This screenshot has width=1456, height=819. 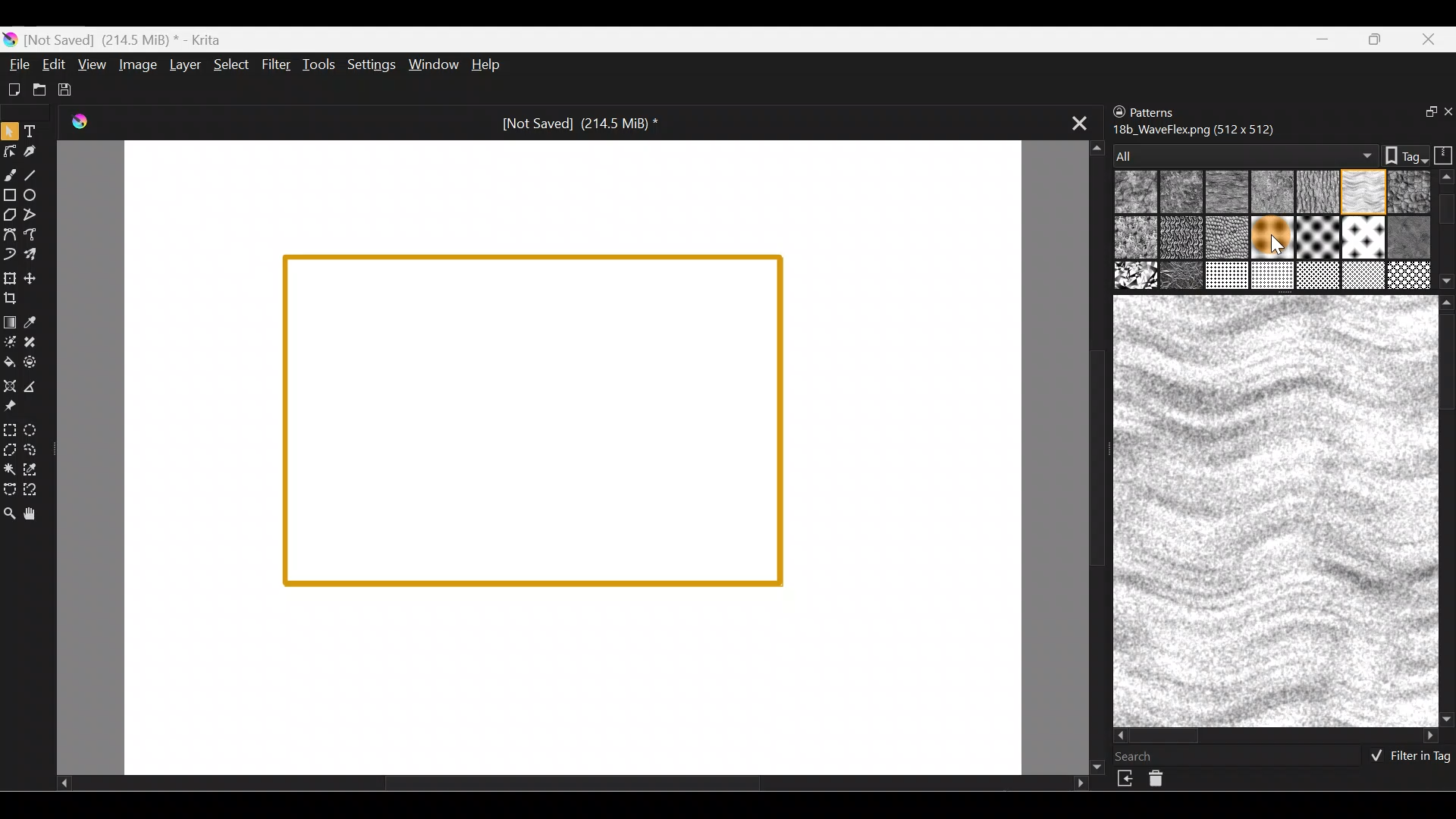 What do you see at coordinates (9, 341) in the screenshot?
I see `Colourise mask tool` at bounding box center [9, 341].